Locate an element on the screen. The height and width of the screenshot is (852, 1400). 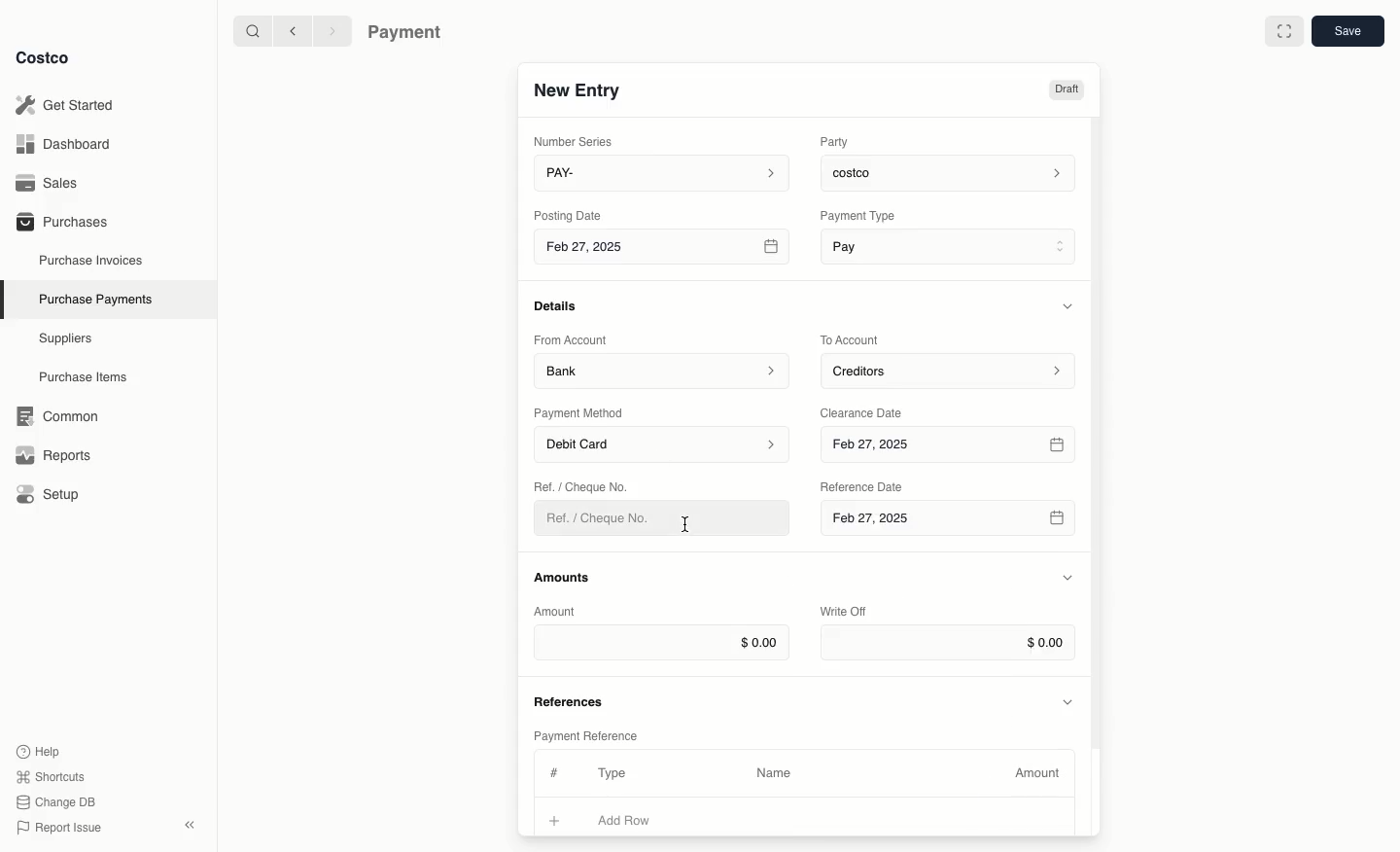
Posting Date is located at coordinates (570, 214).